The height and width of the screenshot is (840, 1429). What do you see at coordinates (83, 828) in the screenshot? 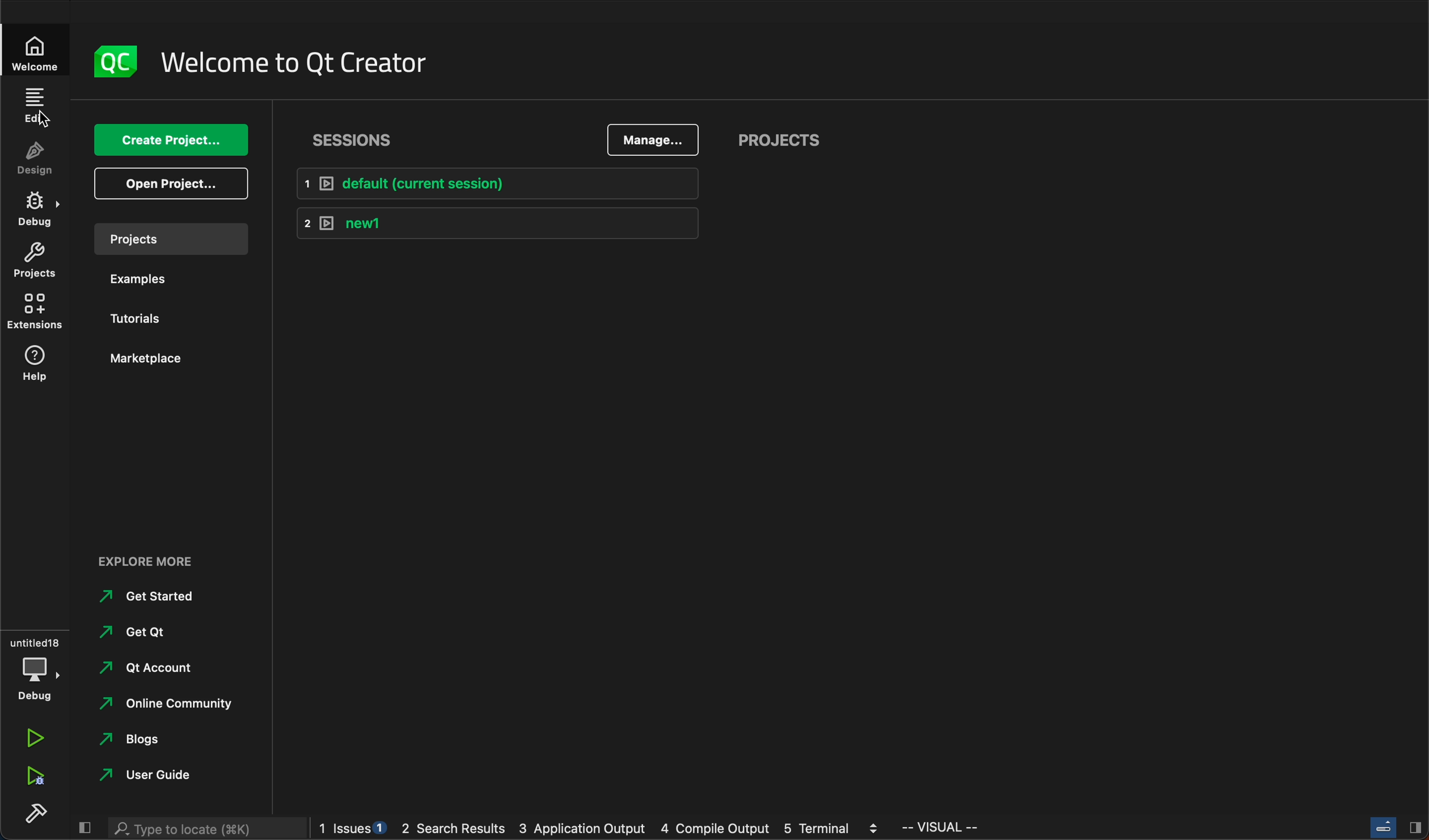
I see `close slide bar` at bounding box center [83, 828].